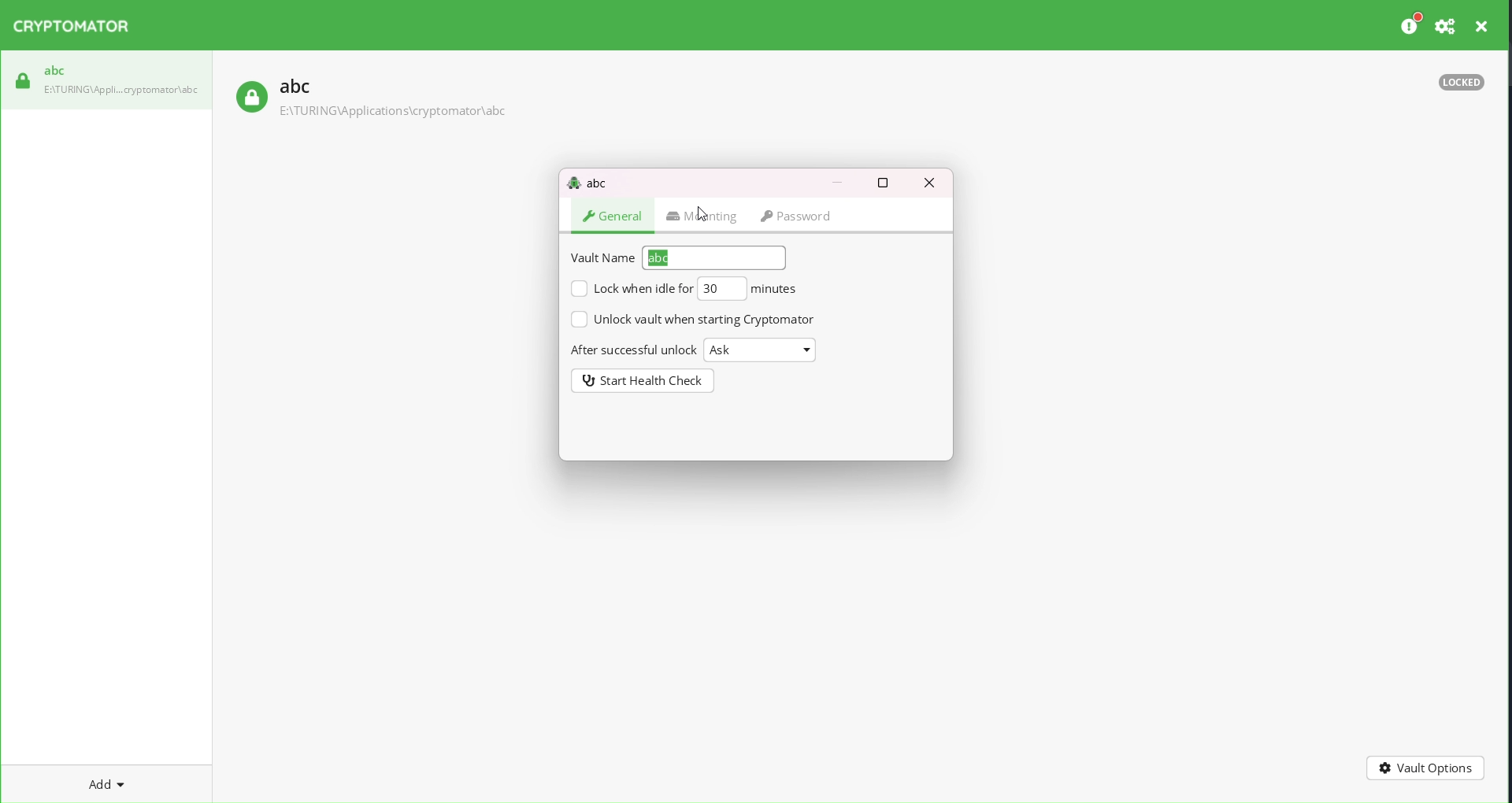 The image size is (1512, 803). I want to click on locked, so click(248, 97).